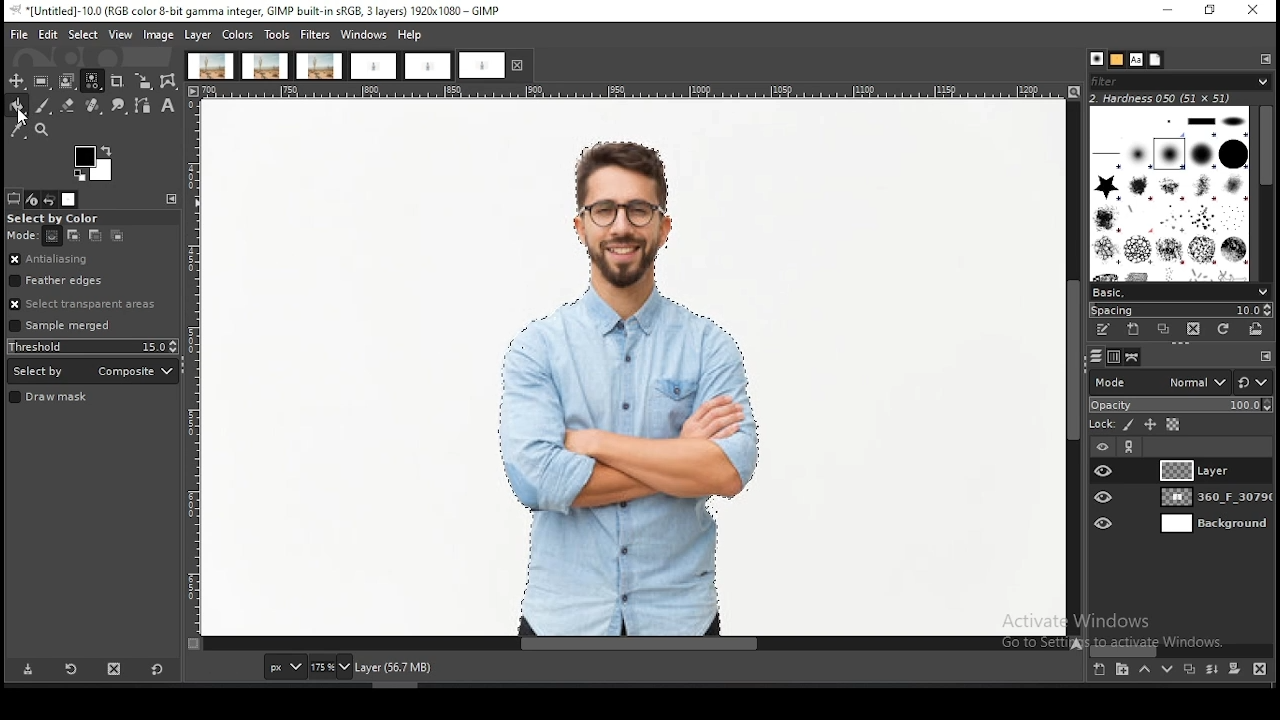 This screenshot has width=1280, height=720. I want to click on create a new layer group, so click(1121, 668).